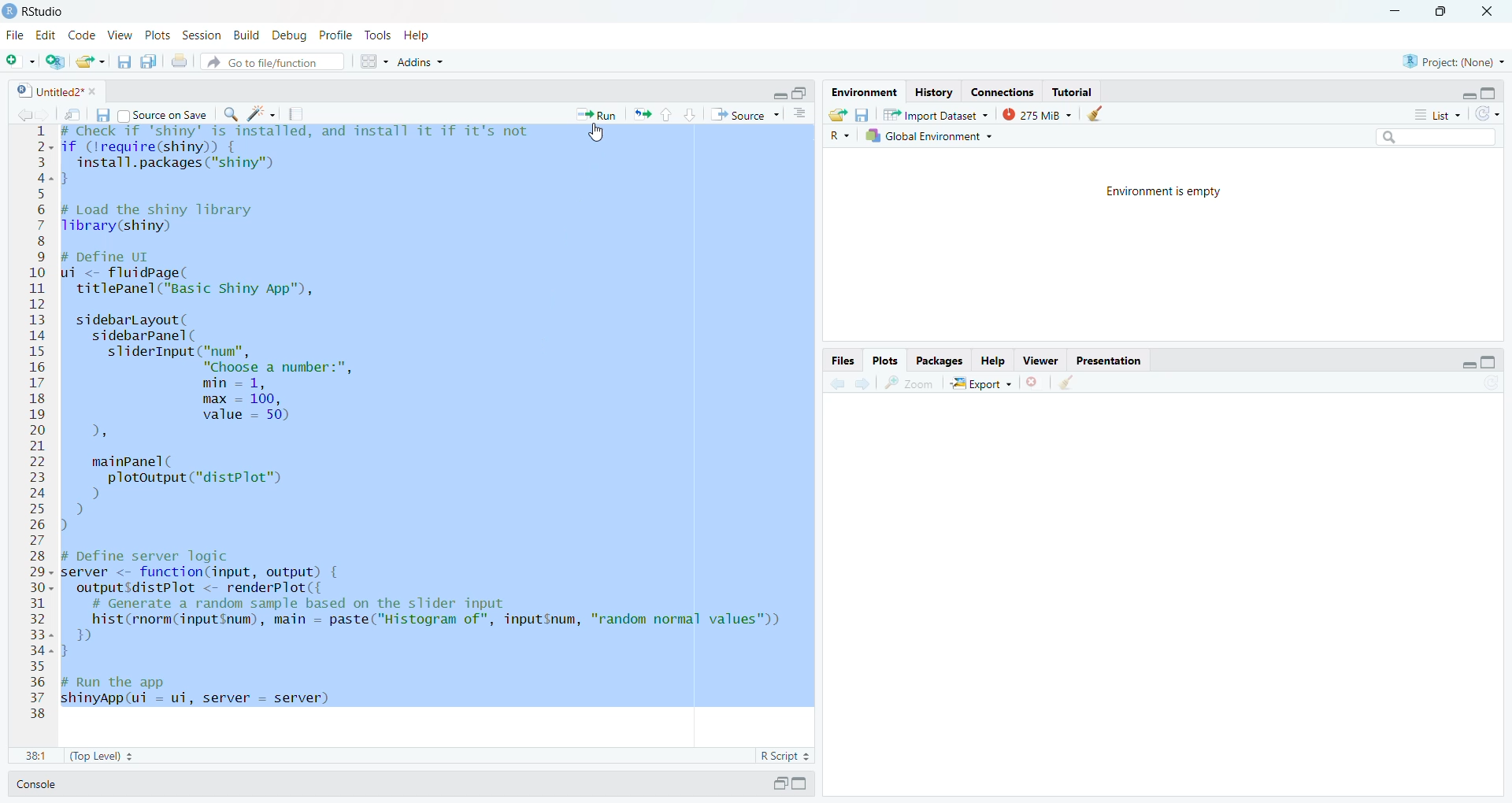 The height and width of the screenshot is (803, 1512). What do you see at coordinates (72, 115) in the screenshot?
I see `show in new window` at bounding box center [72, 115].